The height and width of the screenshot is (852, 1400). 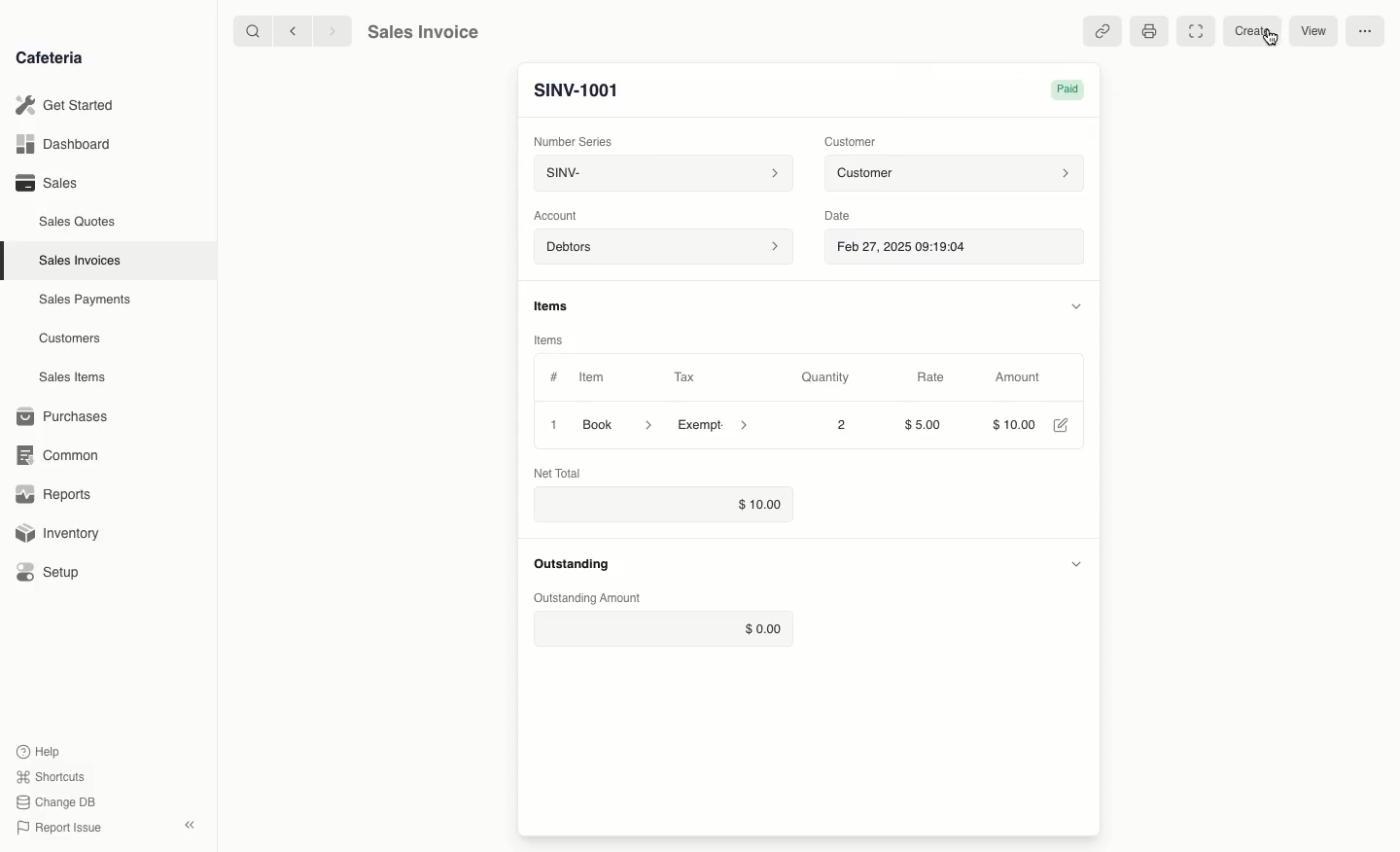 I want to click on Setup, so click(x=51, y=572).